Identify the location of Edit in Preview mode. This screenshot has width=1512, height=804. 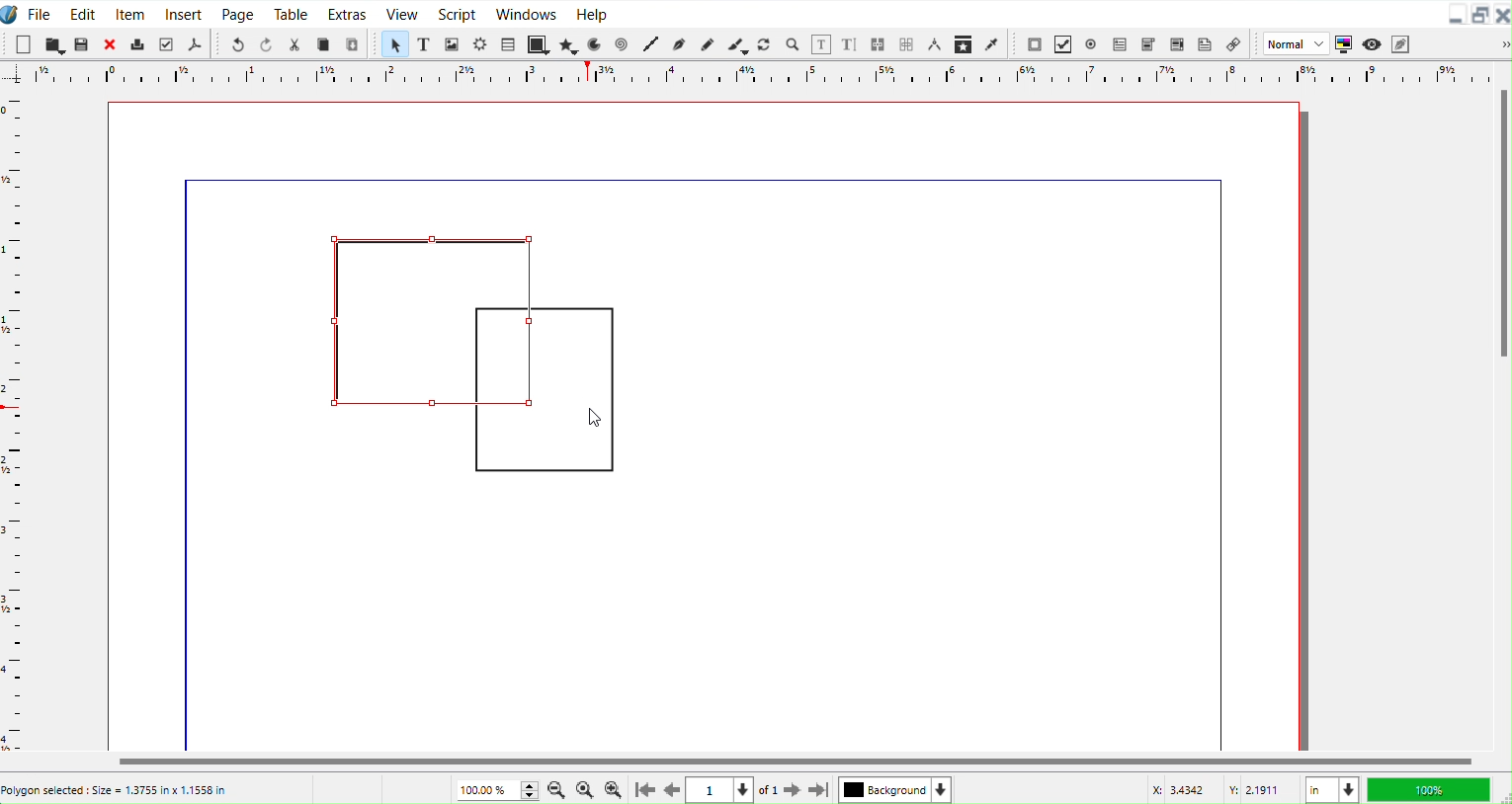
(1400, 42).